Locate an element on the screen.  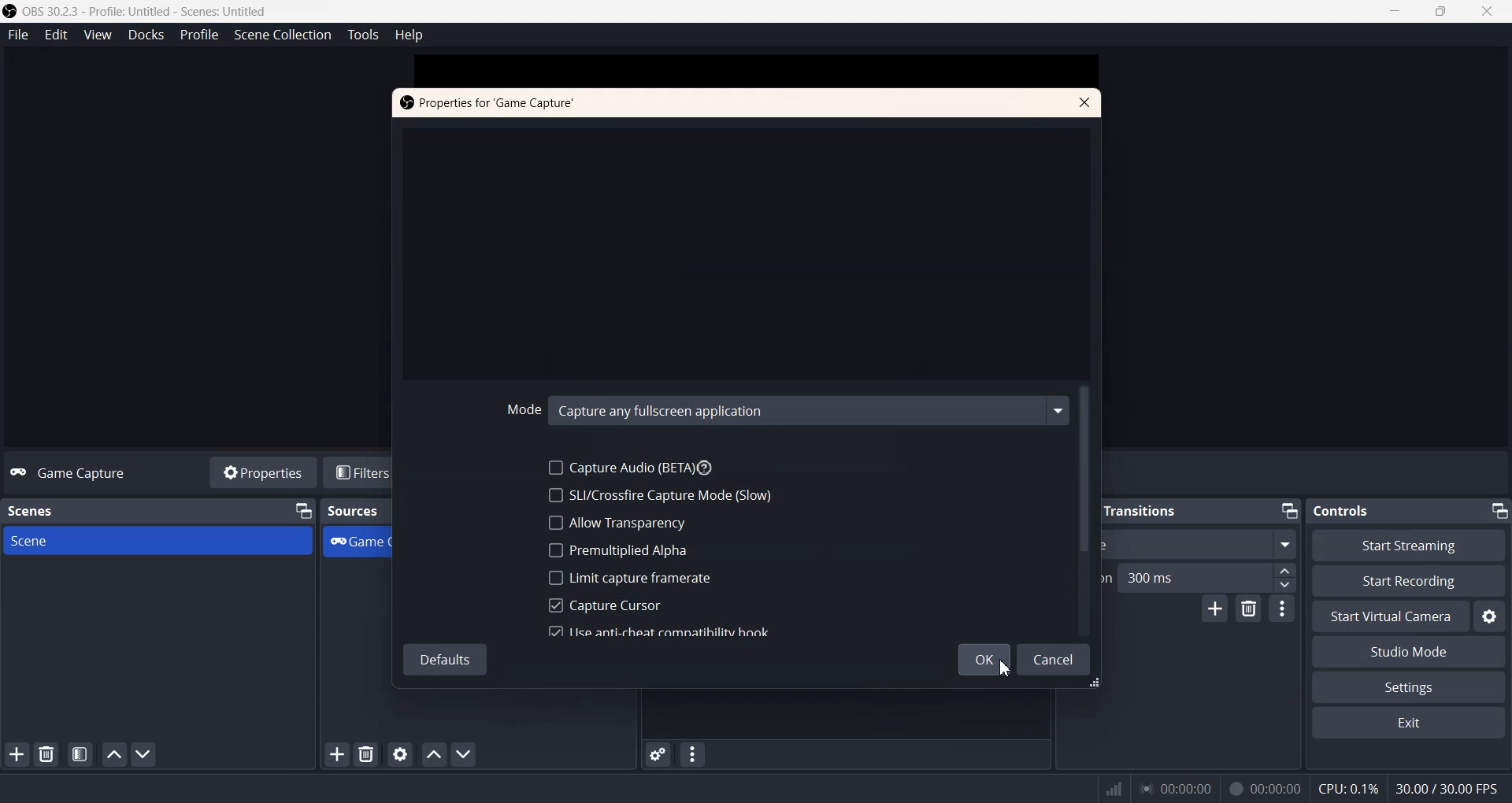
Capture Cursor is located at coordinates (607, 605).